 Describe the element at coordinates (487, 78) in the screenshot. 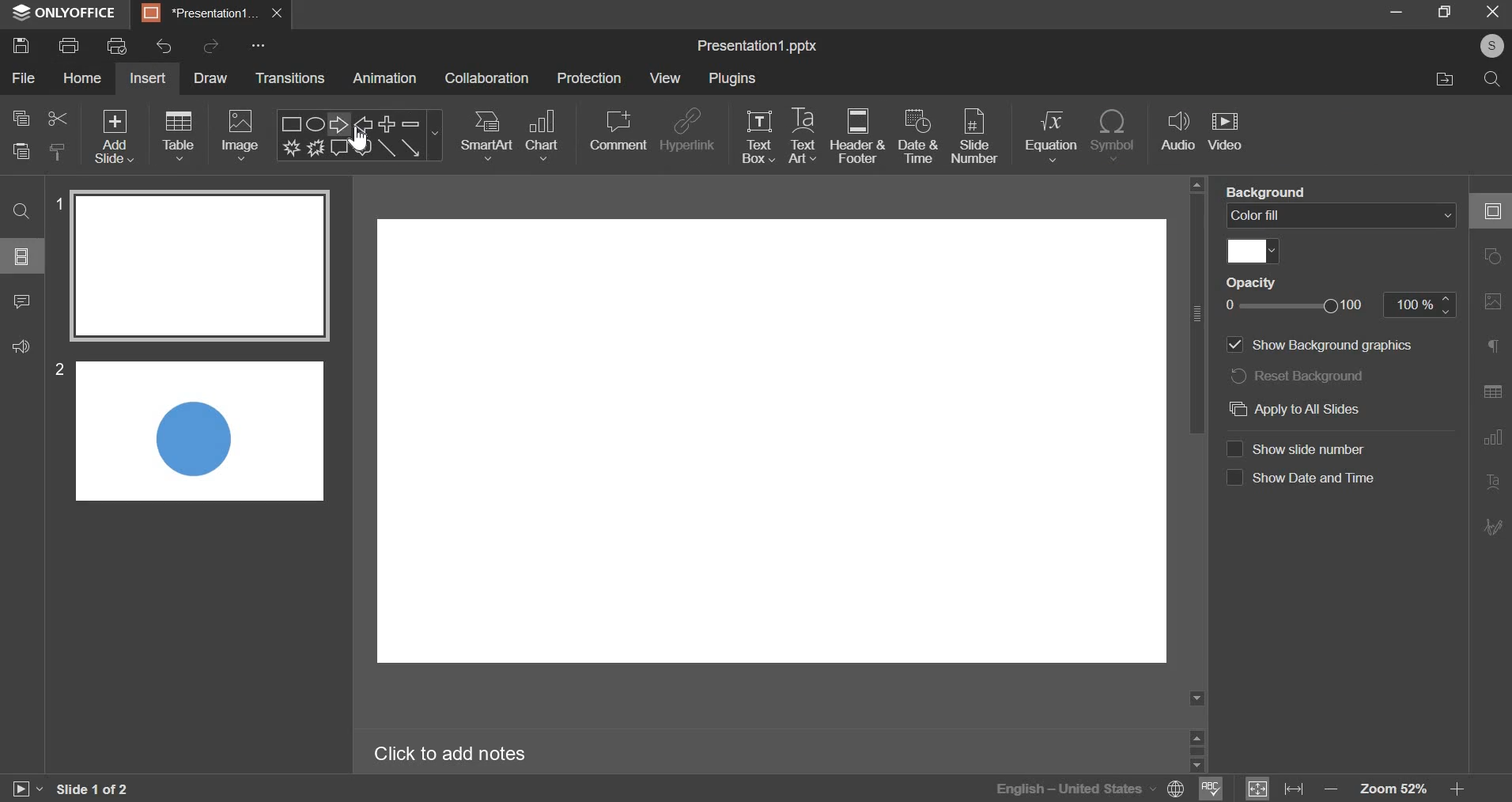

I see `collaboration` at that location.